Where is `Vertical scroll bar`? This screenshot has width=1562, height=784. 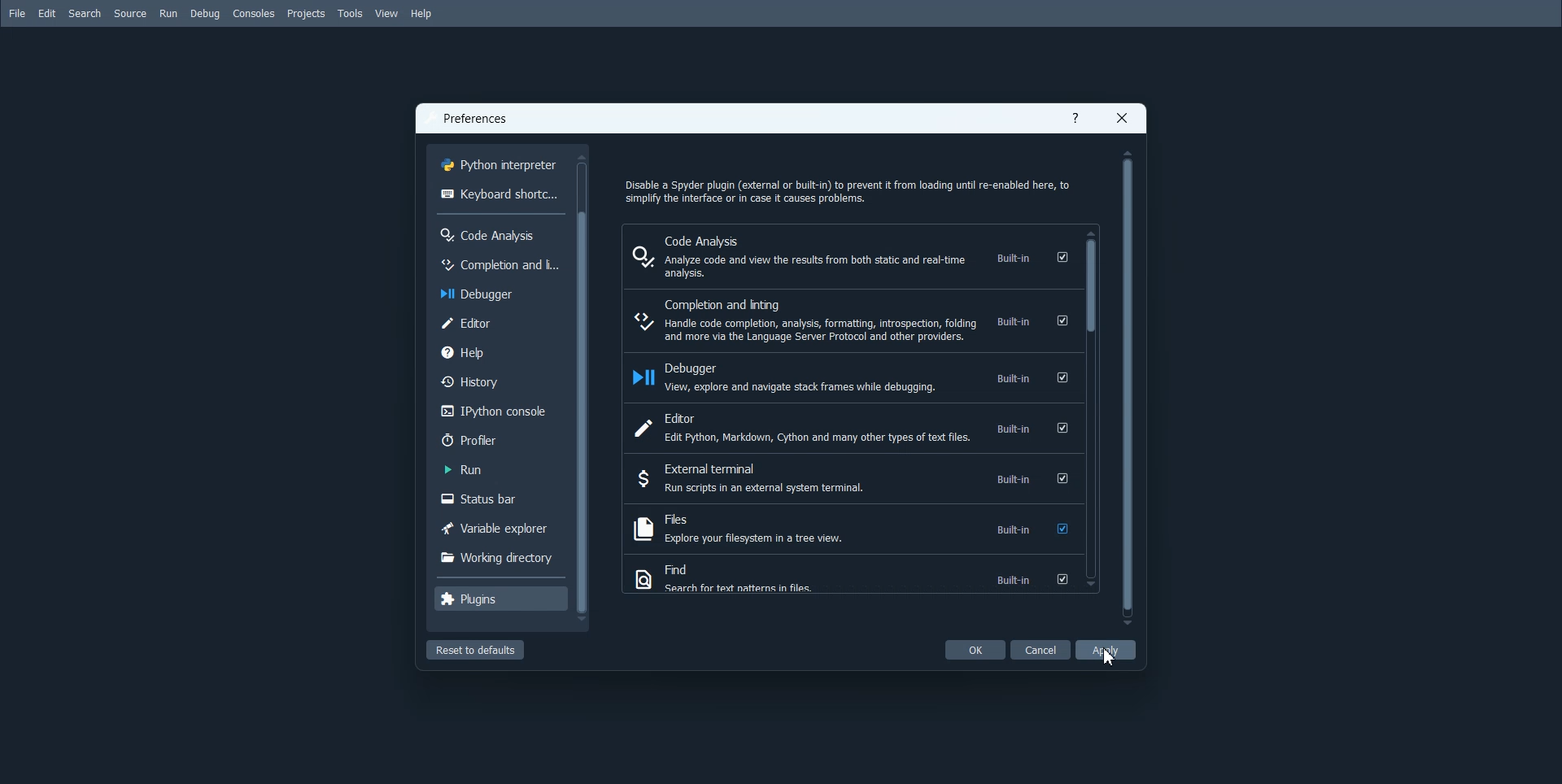 Vertical scroll bar is located at coordinates (1092, 409).